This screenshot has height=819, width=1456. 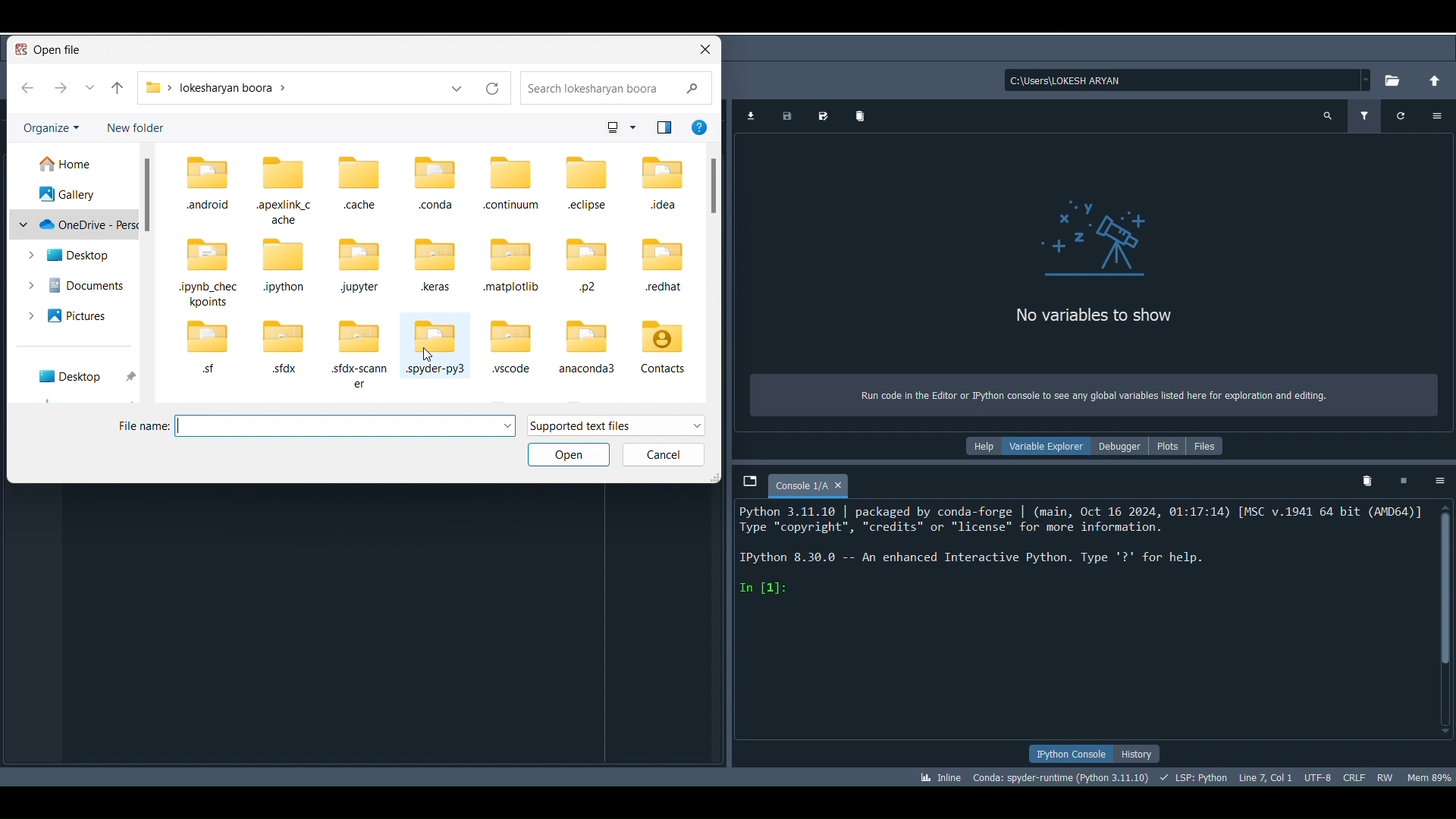 I want to click on Folder location, so click(x=307, y=86).